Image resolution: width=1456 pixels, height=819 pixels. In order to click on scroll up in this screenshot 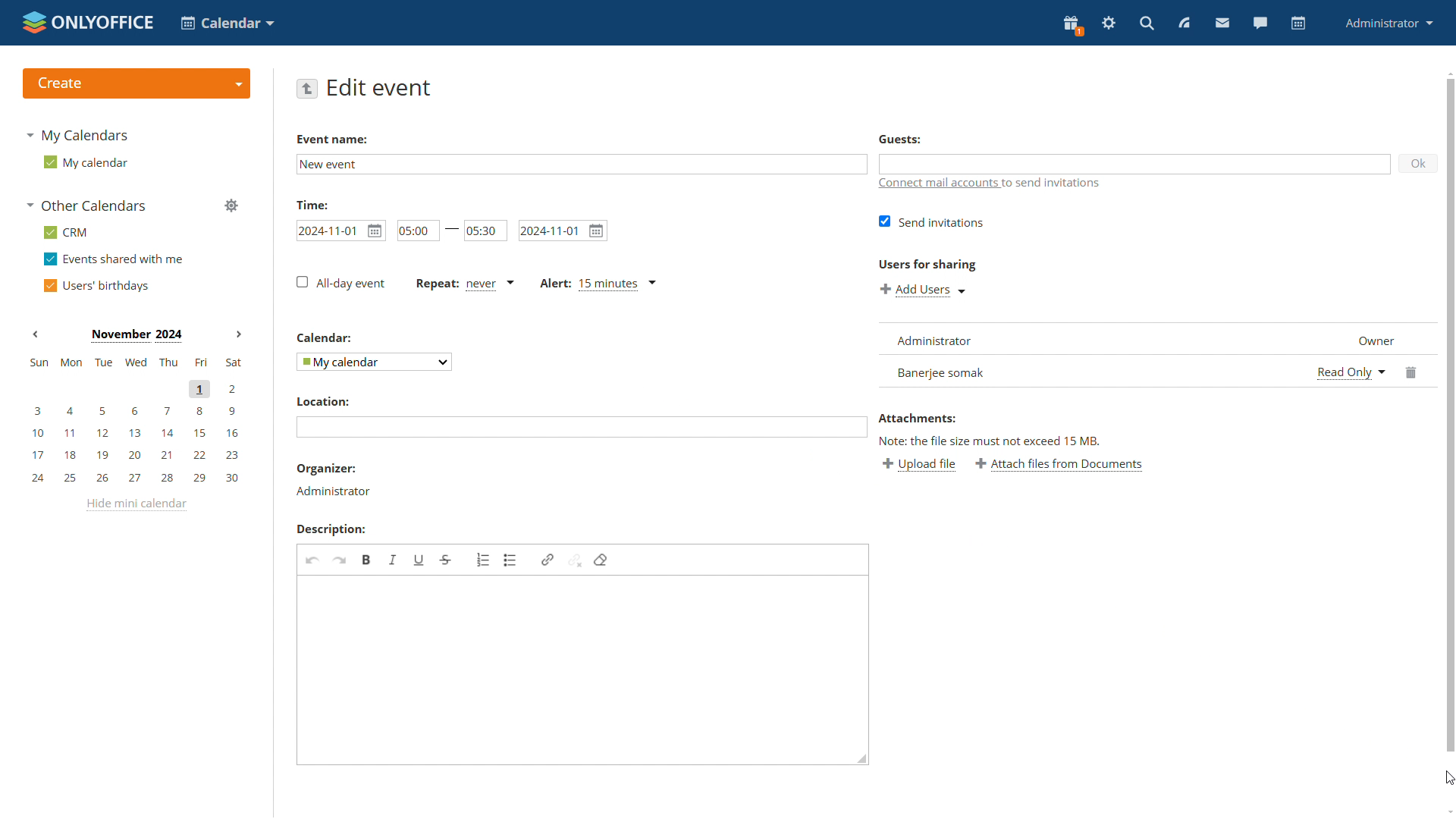, I will do `click(1450, 74)`.